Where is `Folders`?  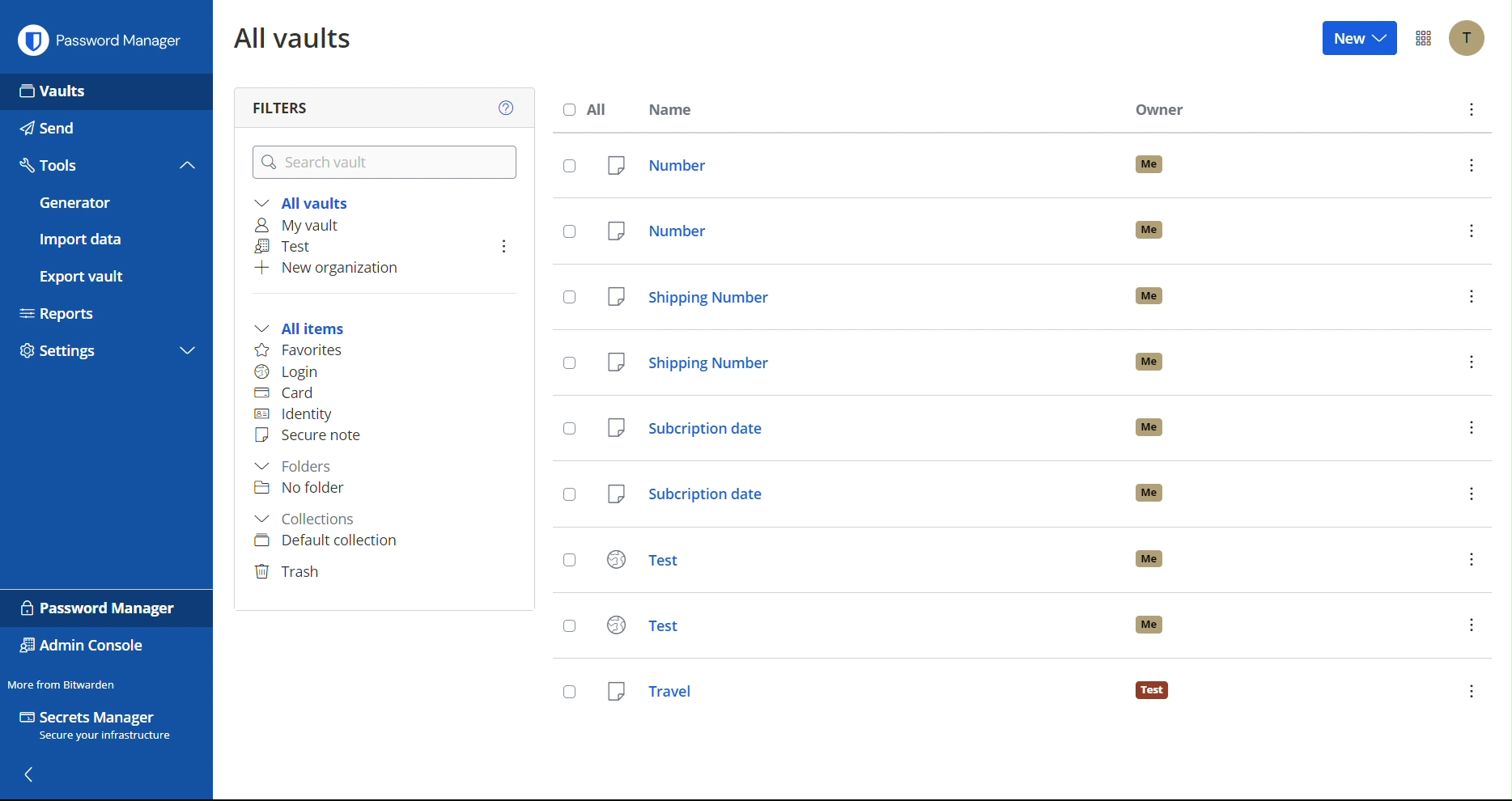 Folders is located at coordinates (299, 467).